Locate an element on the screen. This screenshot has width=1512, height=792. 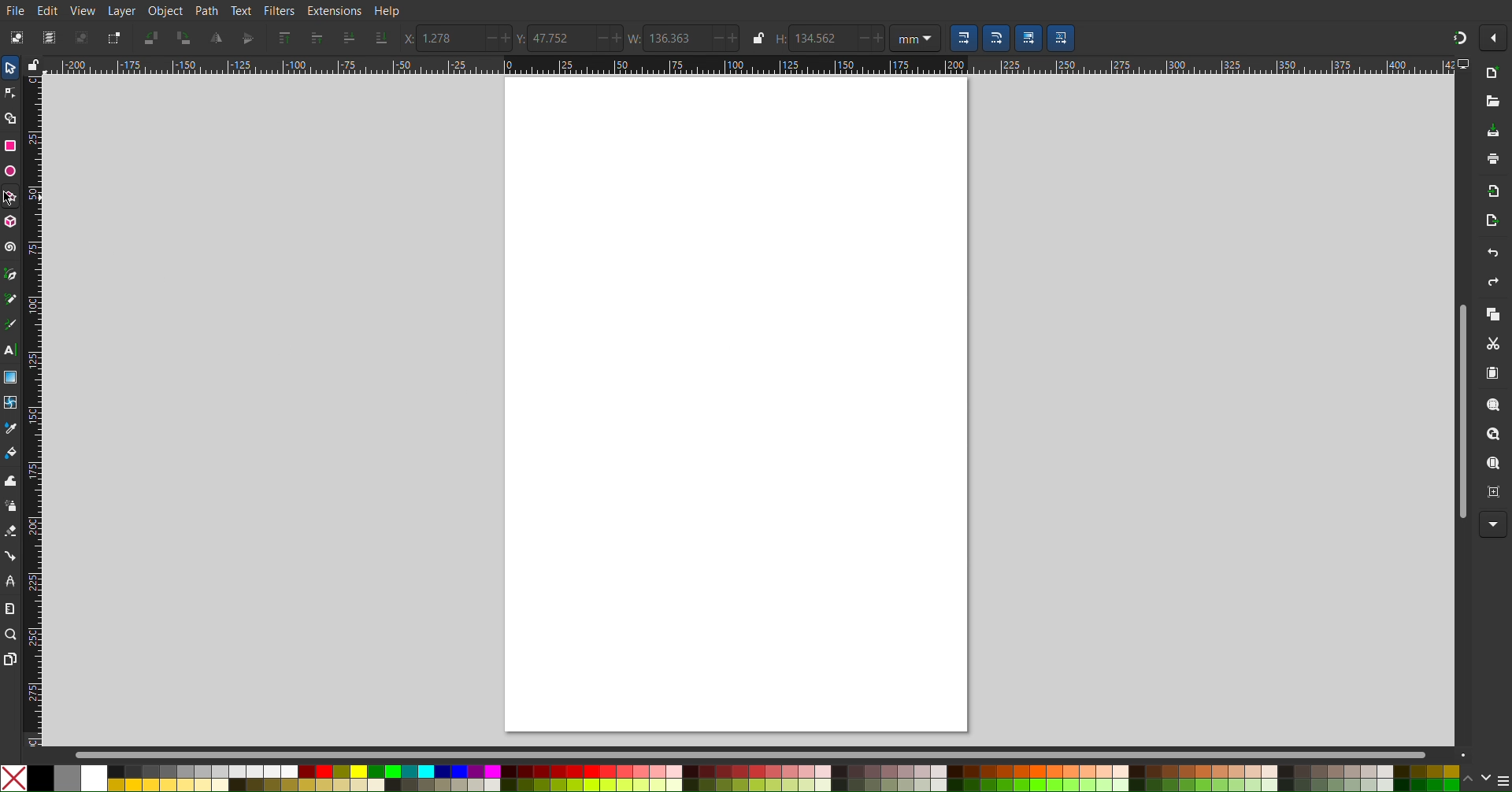
Scaling Options is located at coordinates (964, 38).